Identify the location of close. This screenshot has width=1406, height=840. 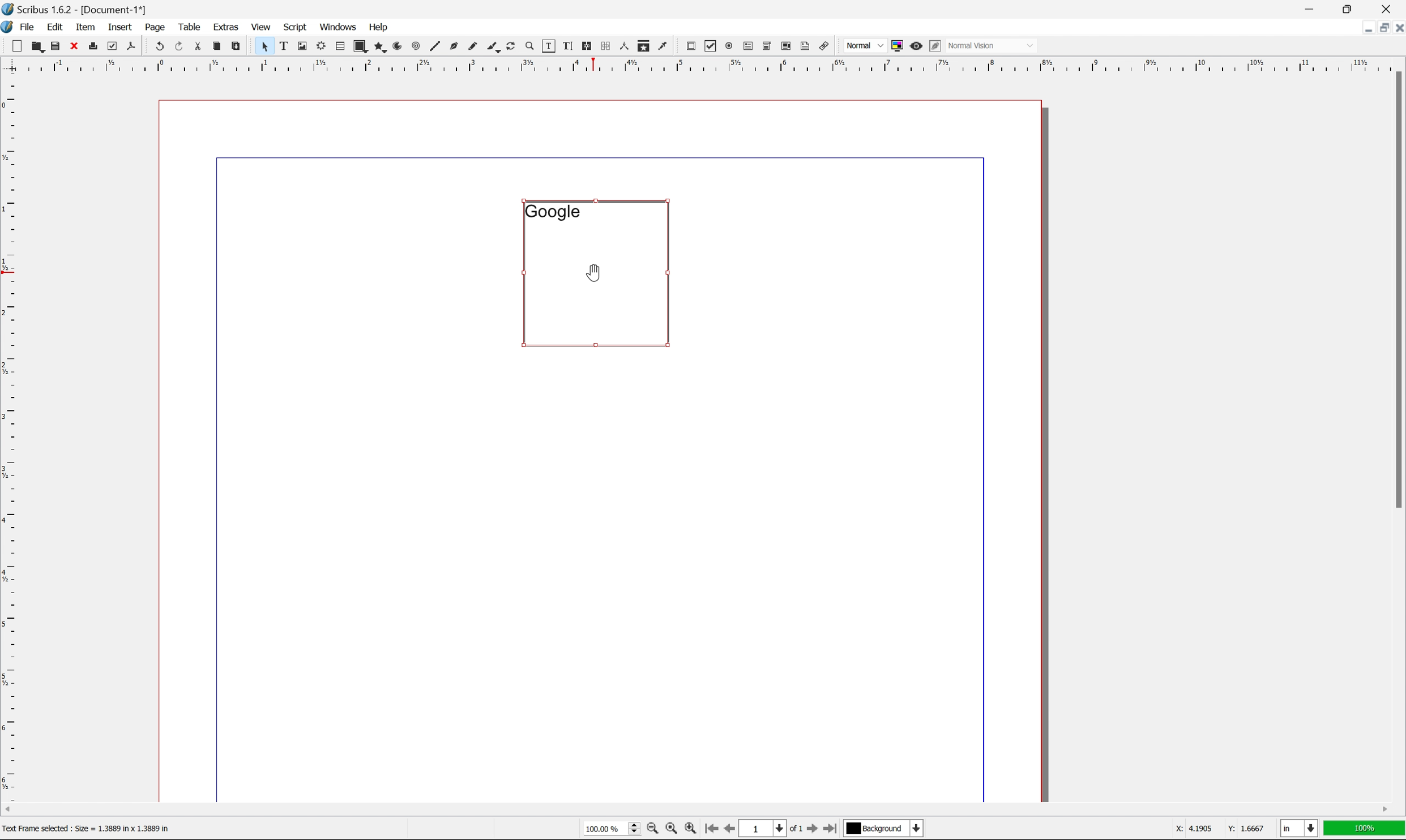
(1397, 27).